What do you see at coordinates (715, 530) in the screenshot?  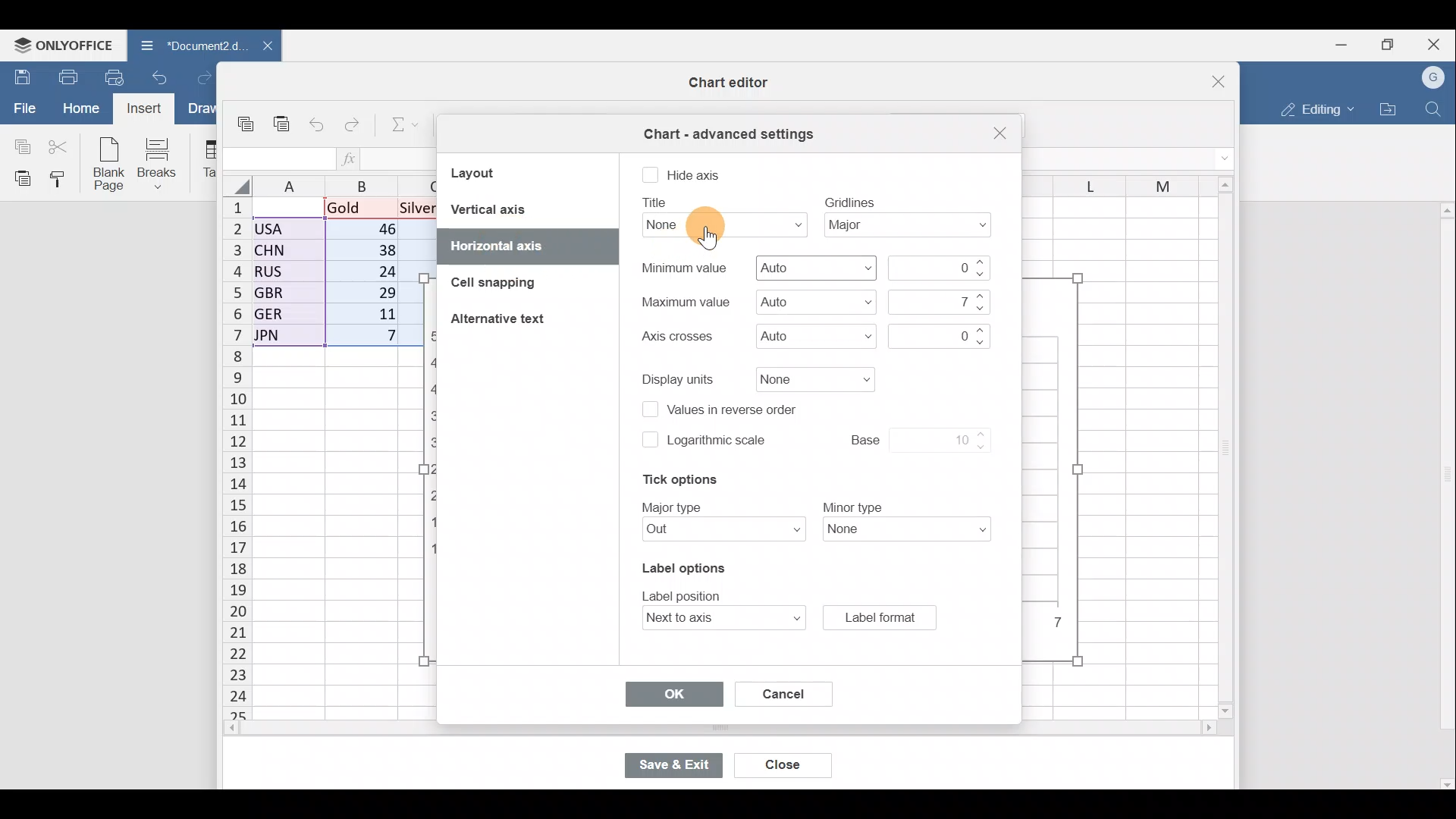 I see `Major type` at bounding box center [715, 530].